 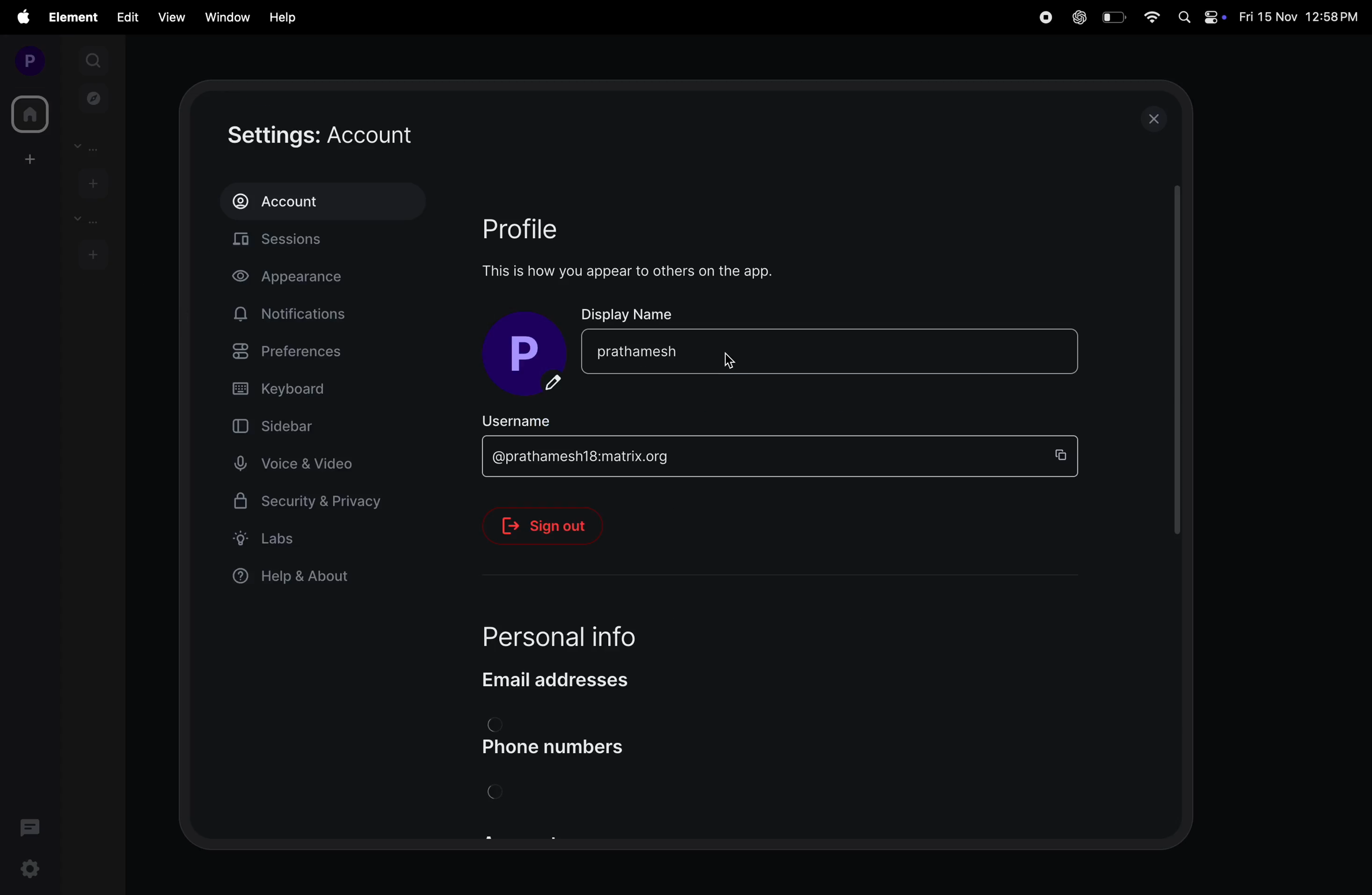 I want to click on close, so click(x=1155, y=119).